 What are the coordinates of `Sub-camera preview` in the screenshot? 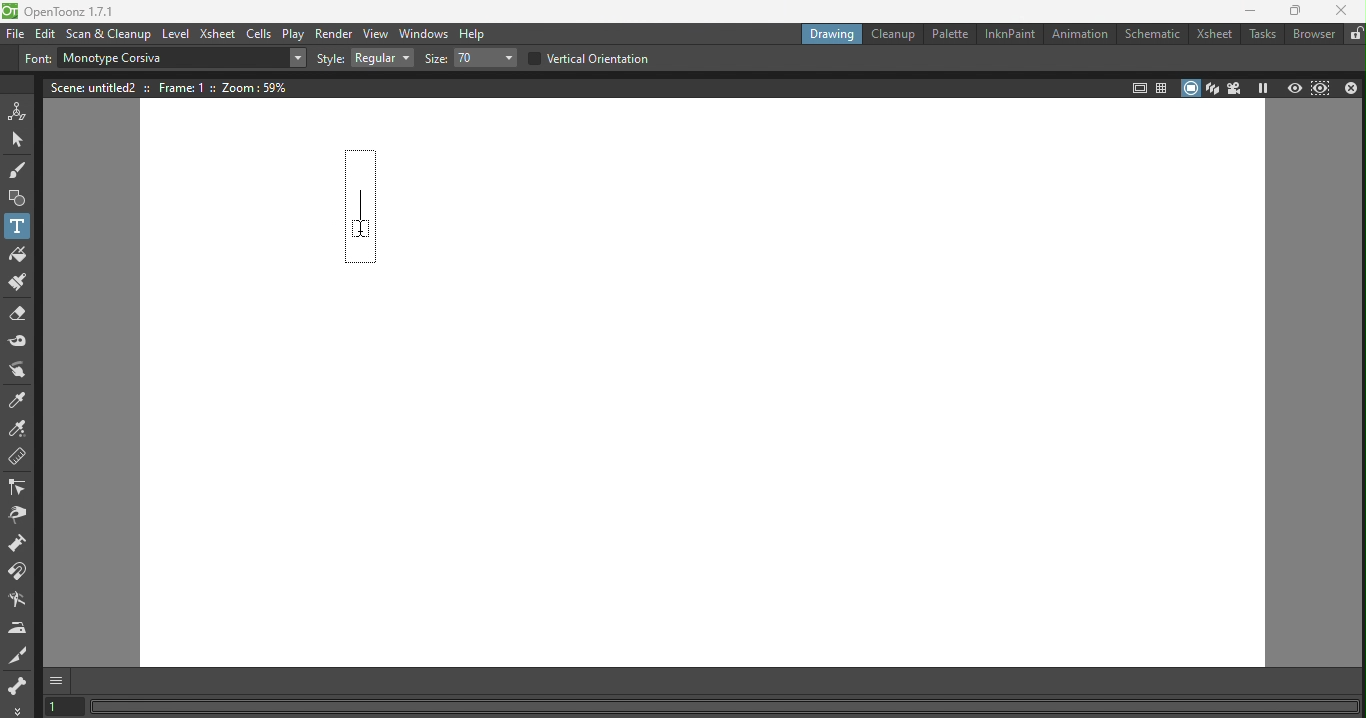 It's located at (1321, 88).